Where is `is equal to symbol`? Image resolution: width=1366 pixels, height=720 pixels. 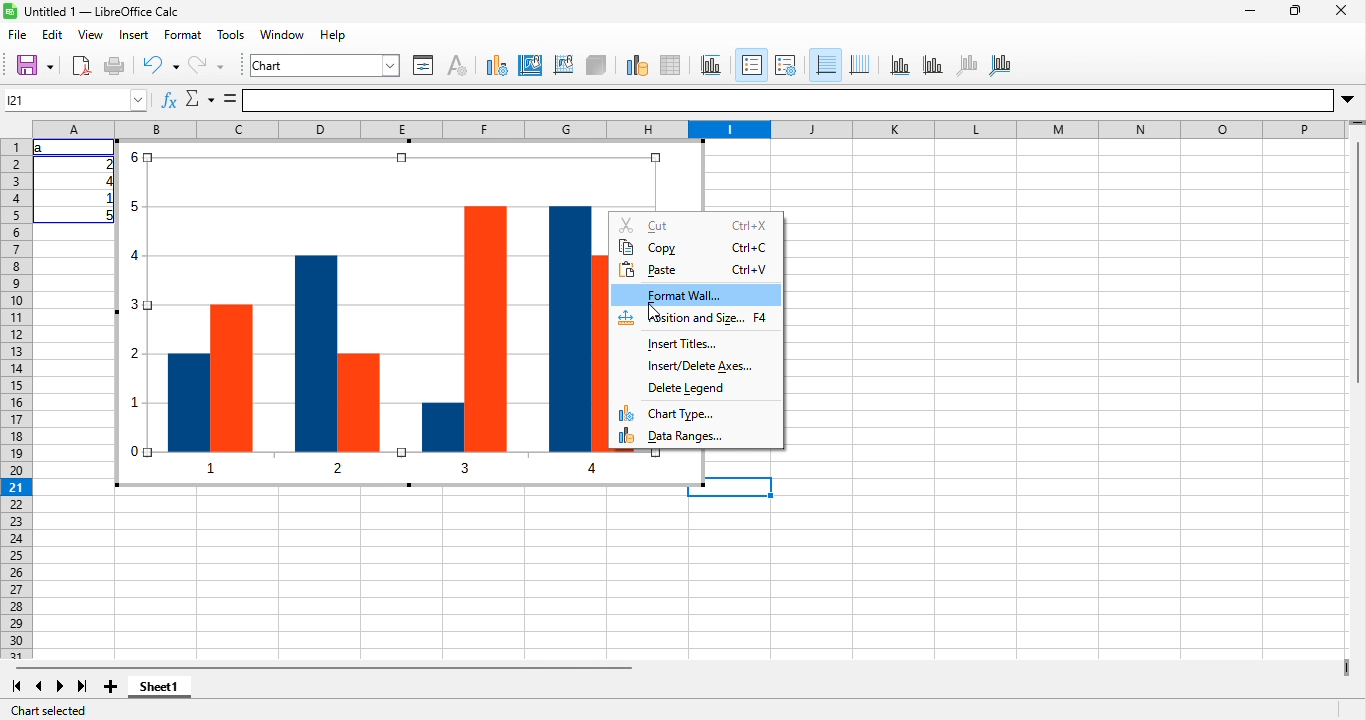 is equal to symbol is located at coordinates (230, 99).